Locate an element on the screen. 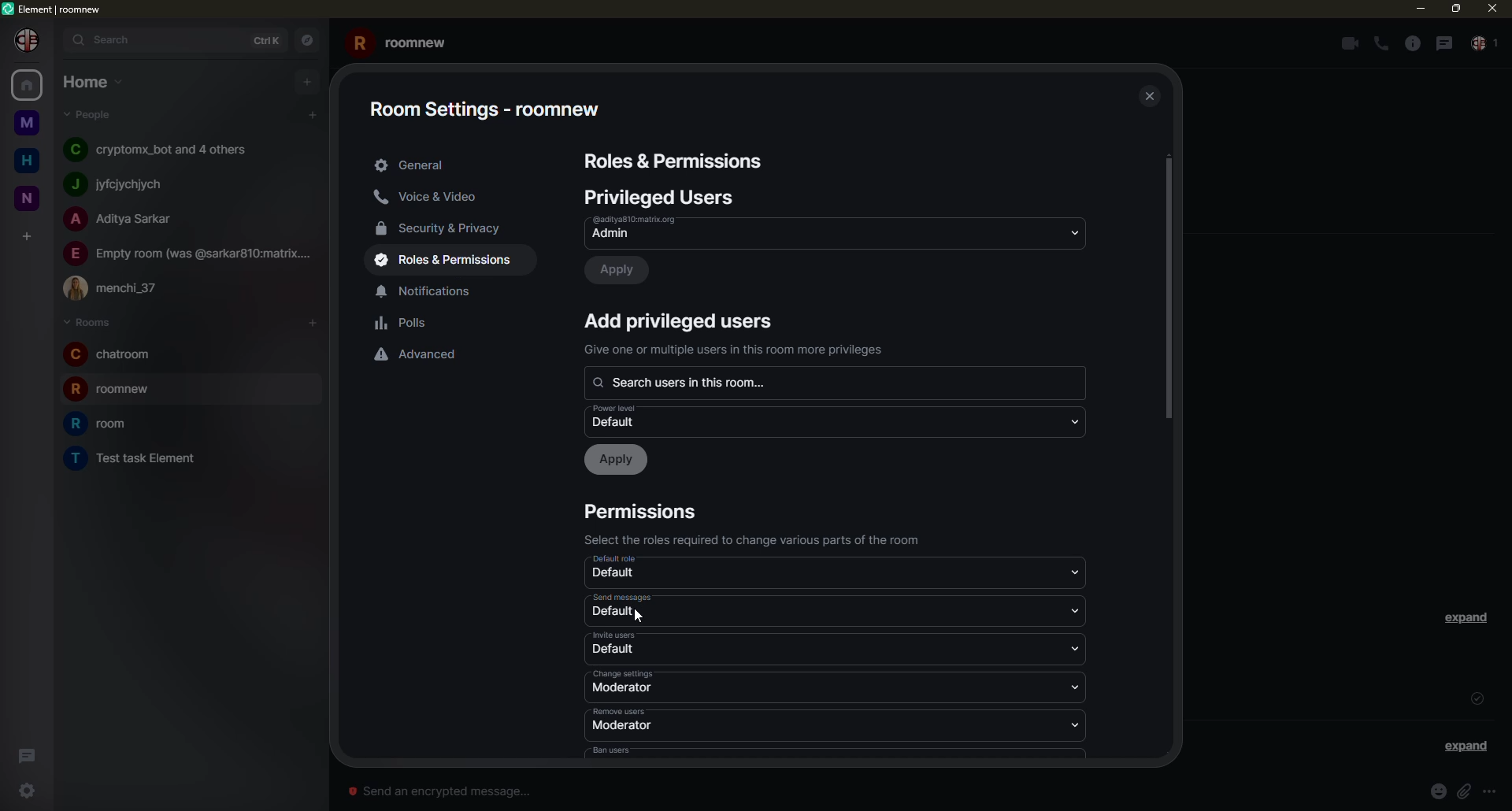 This screenshot has height=811, width=1512. drop is located at coordinates (1073, 420).